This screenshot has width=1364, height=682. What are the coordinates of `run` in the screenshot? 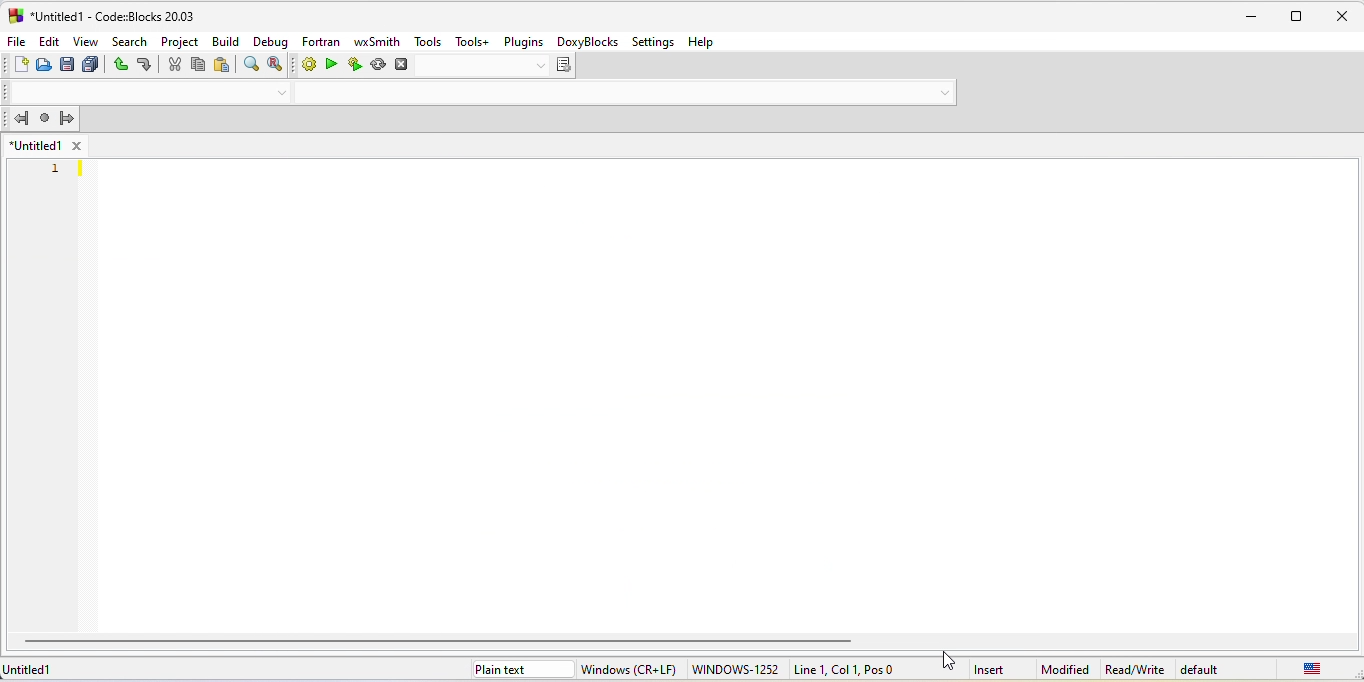 It's located at (331, 63).